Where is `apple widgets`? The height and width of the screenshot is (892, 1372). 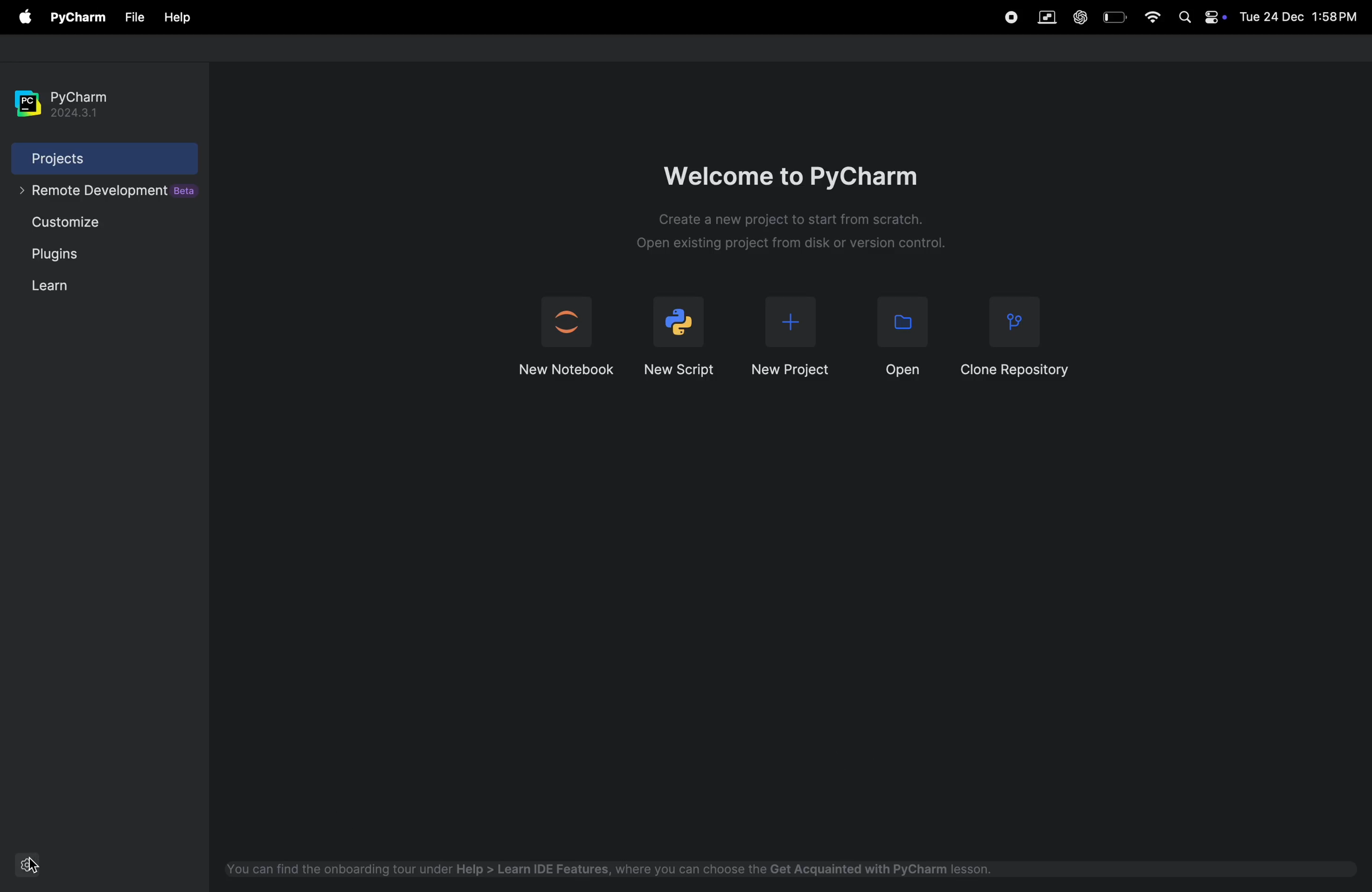
apple widgets is located at coordinates (1200, 20).